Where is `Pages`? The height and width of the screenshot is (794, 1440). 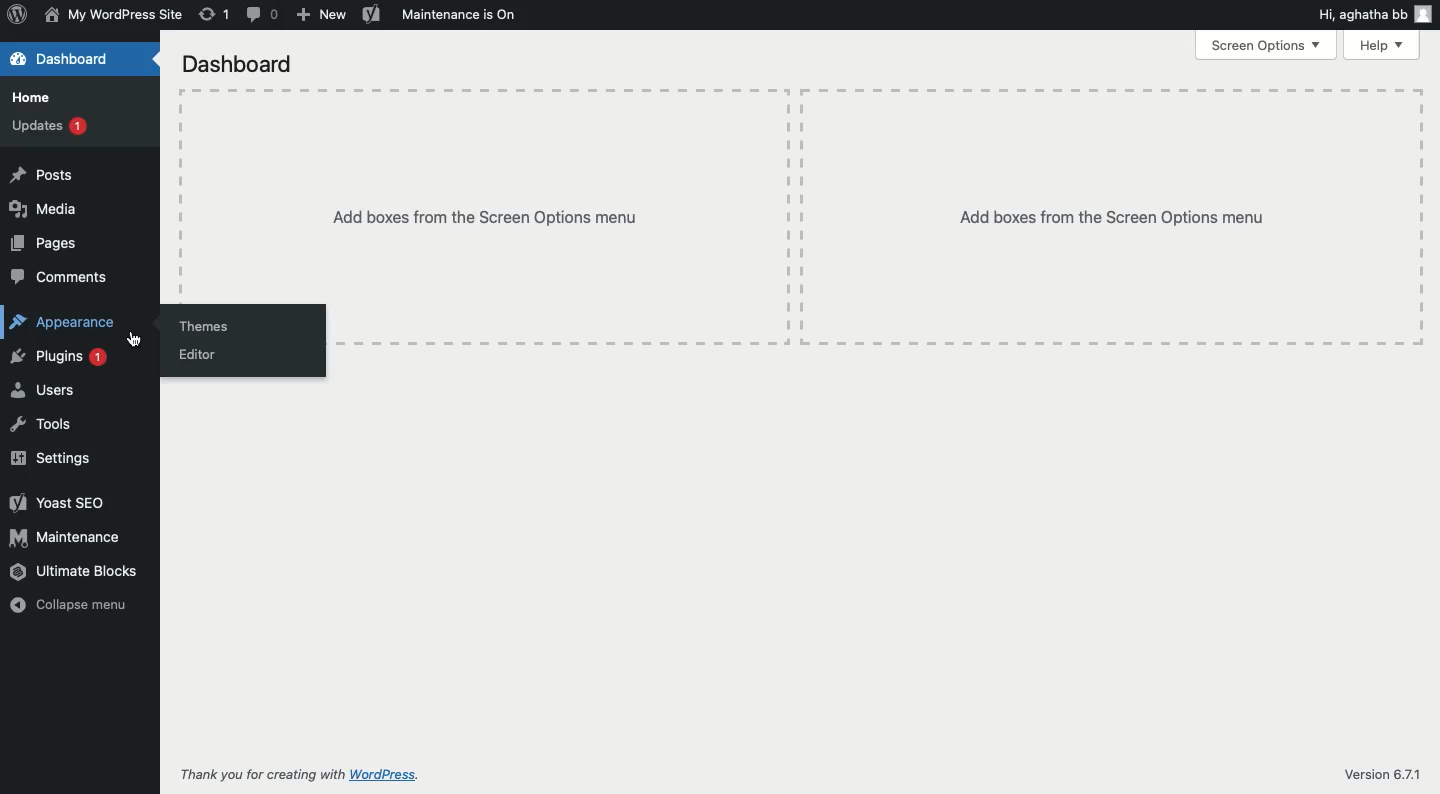 Pages is located at coordinates (42, 245).